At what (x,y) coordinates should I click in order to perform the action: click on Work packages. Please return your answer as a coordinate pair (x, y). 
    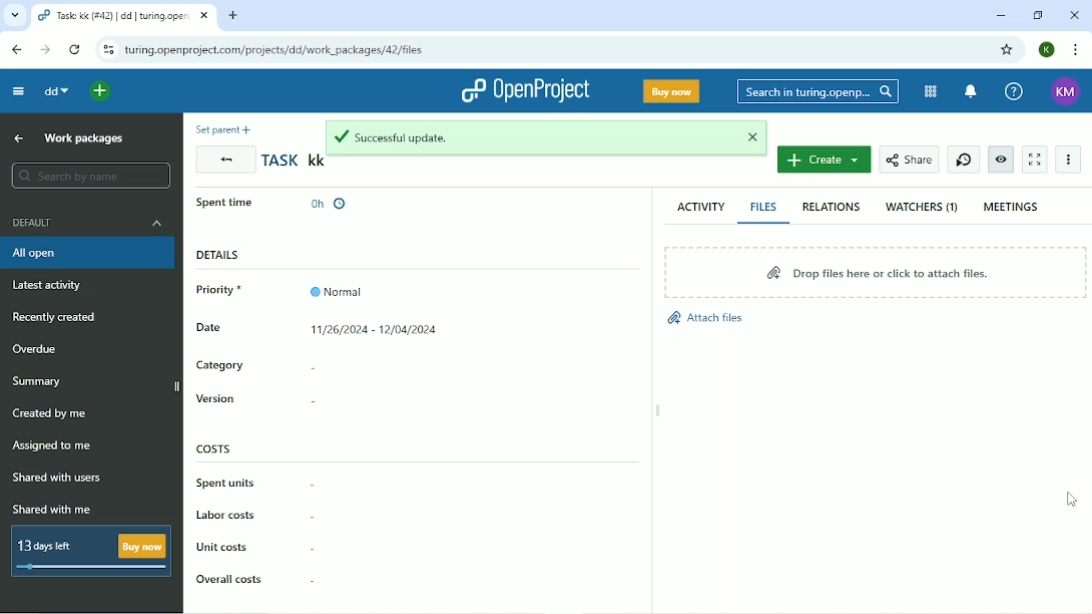
    Looking at the image, I should click on (85, 139).